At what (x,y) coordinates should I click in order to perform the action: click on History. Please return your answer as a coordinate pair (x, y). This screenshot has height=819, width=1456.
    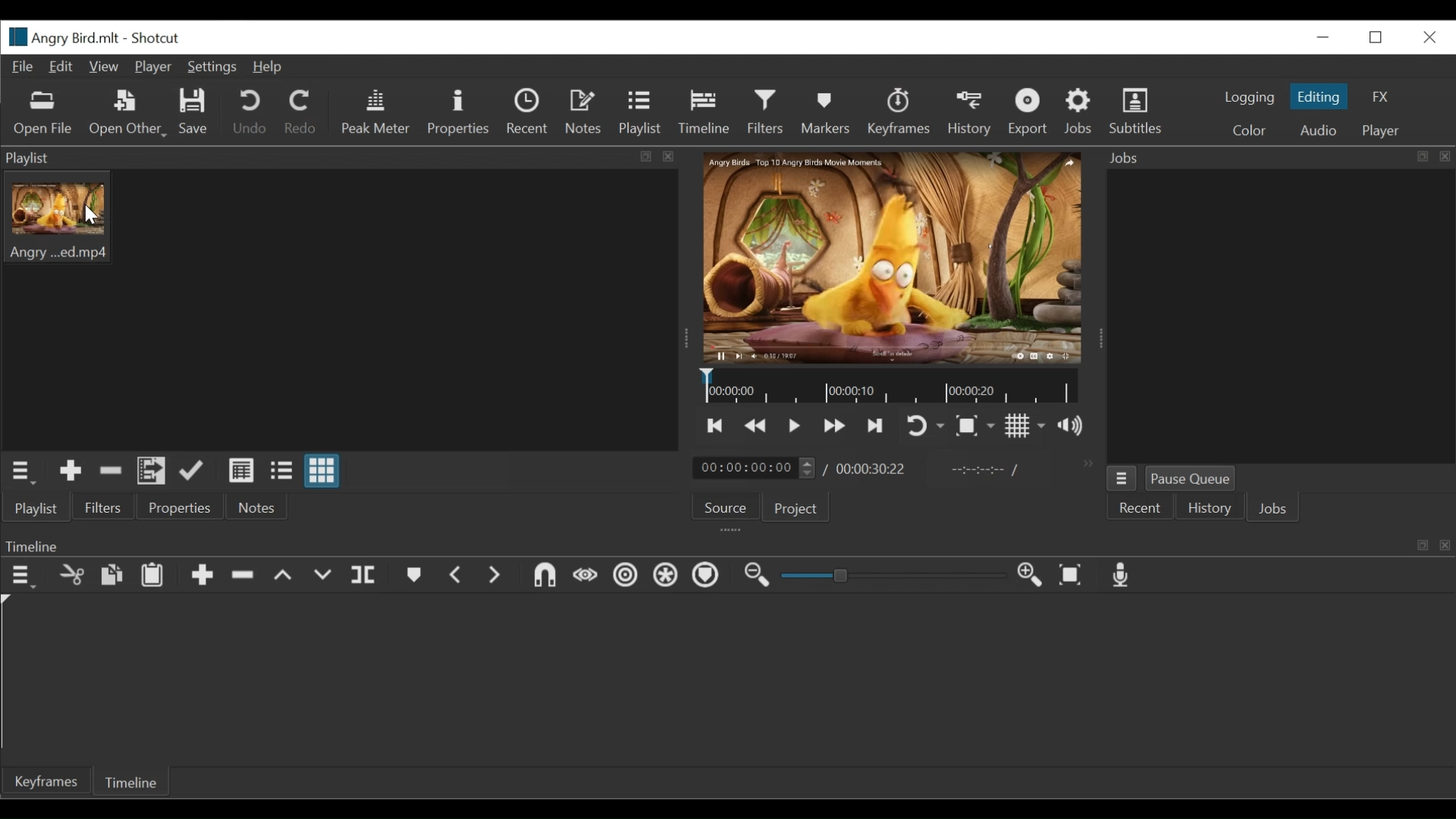
    Looking at the image, I should click on (1210, 510).